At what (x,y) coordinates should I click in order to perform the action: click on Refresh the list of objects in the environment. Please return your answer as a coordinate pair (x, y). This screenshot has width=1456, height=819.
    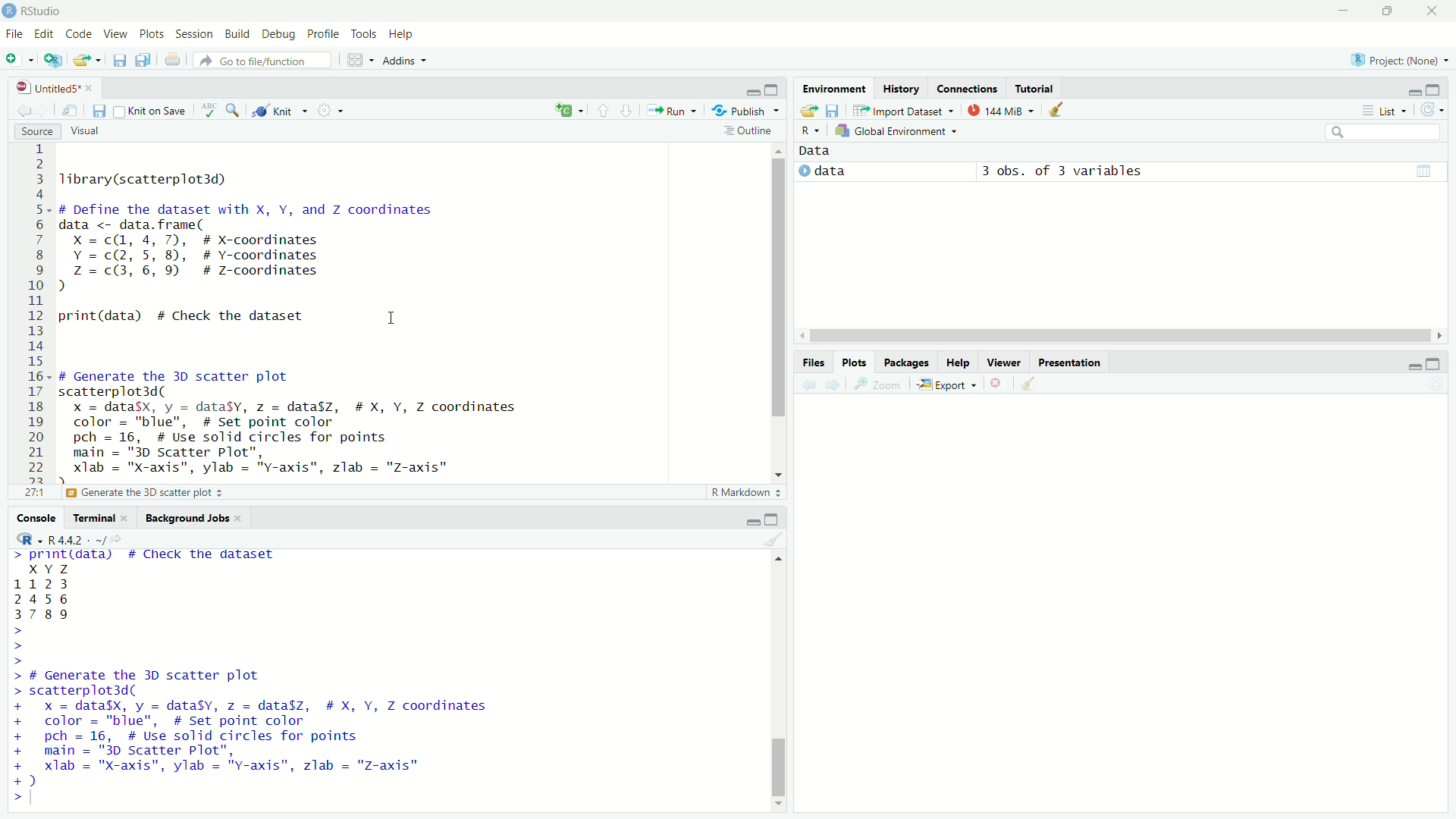
    Looking at the image, I should click on (1439, 110).